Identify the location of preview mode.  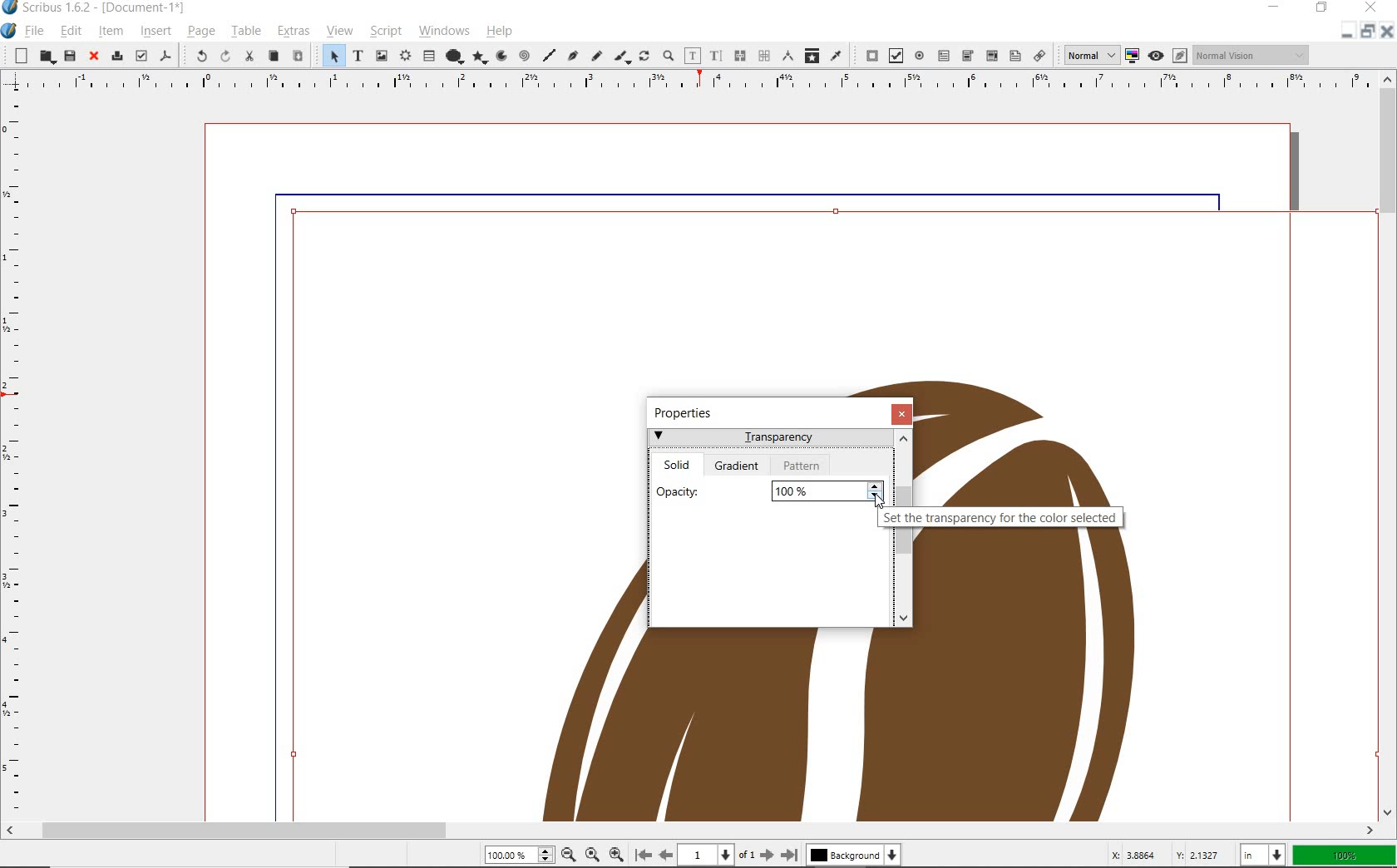
(1167, 56).